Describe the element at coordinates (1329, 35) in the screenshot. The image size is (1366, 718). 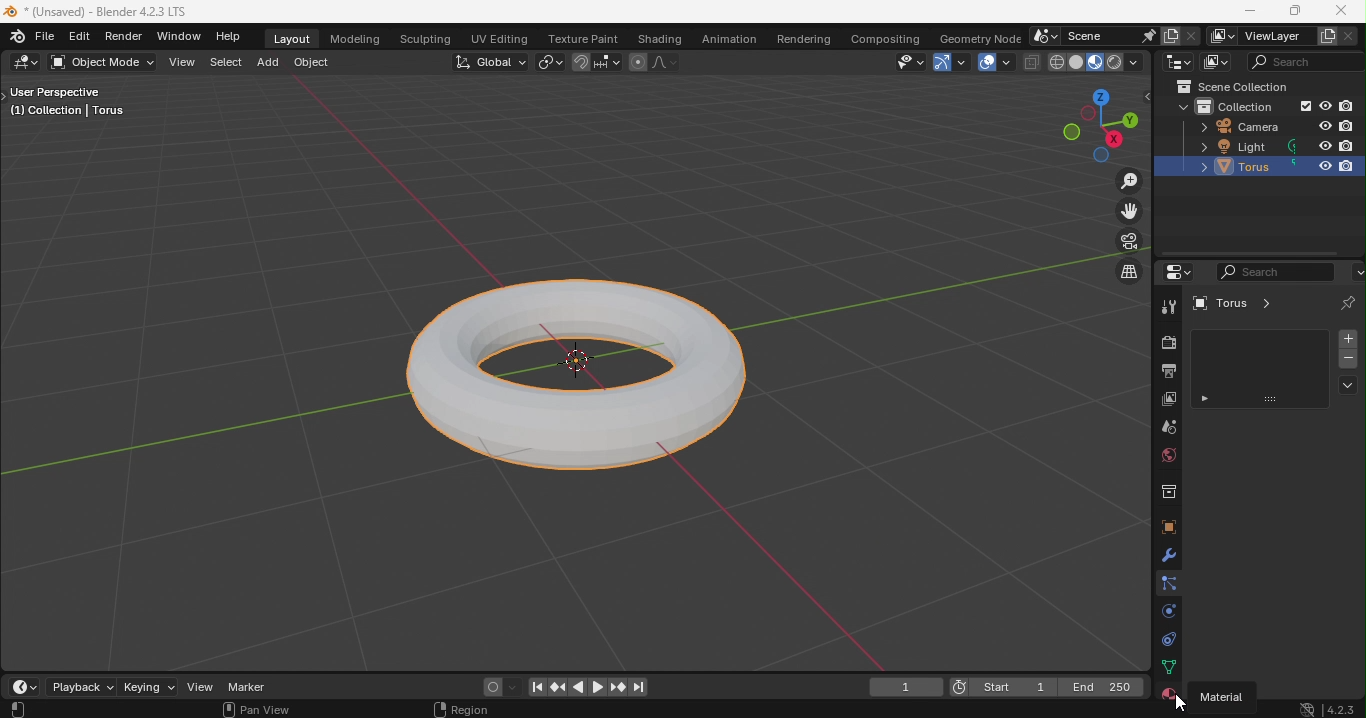
I see `Add view layer` at that location.